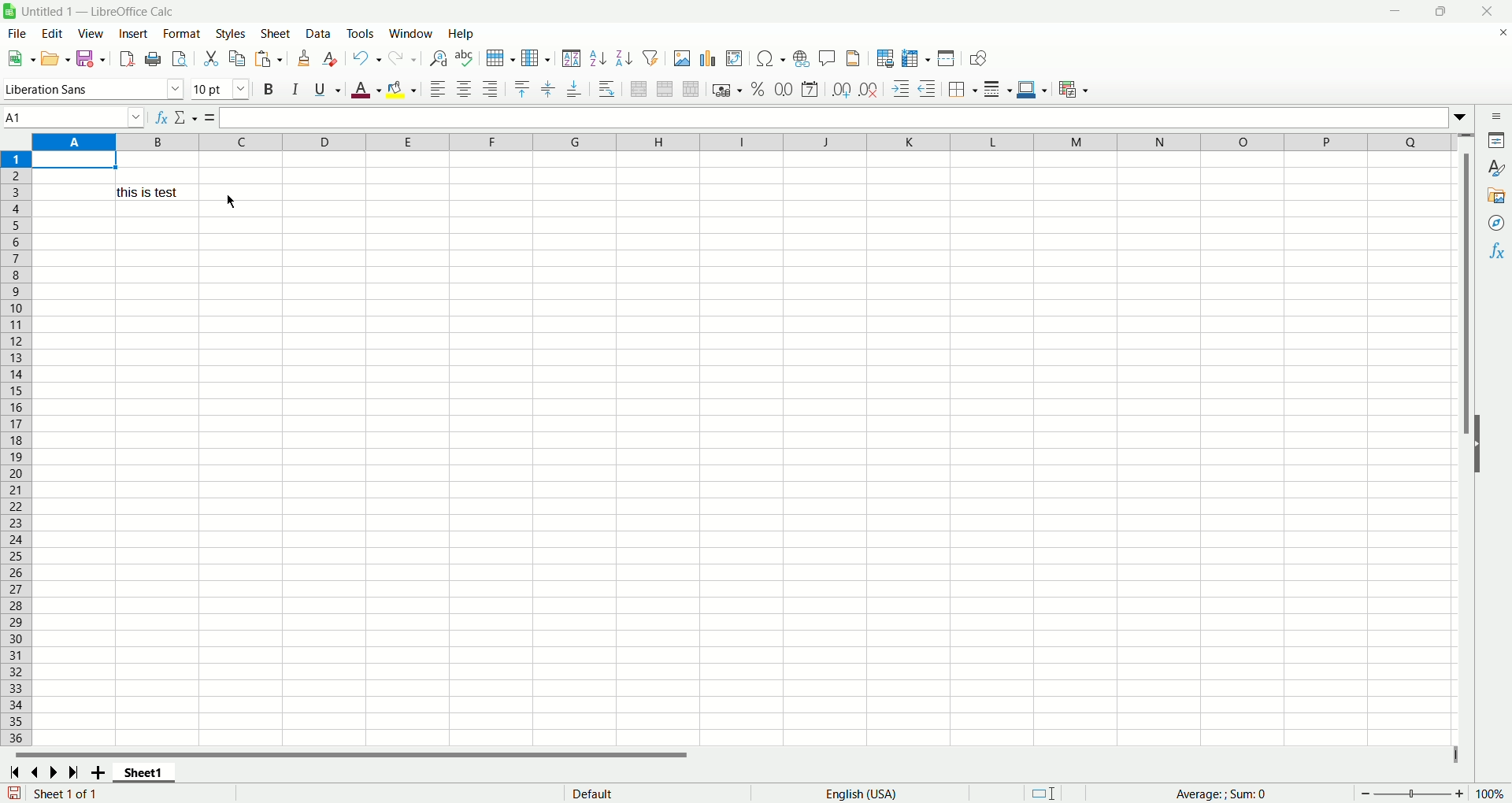 This screenshot has width=1512, height=803. I want to click on navigator, so click(1497, 222).